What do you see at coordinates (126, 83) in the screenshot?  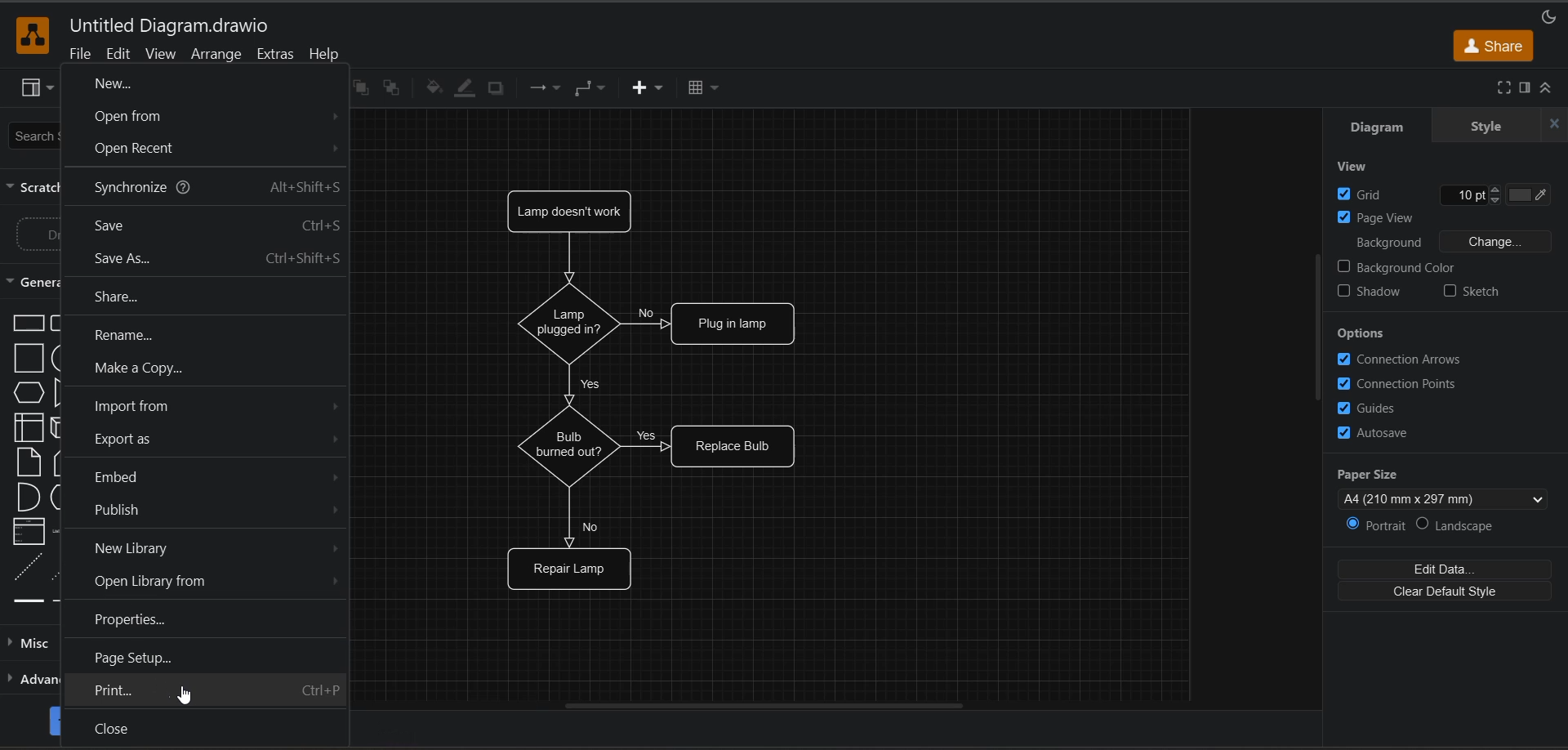 I see `new` at bounding box center [126, 83].